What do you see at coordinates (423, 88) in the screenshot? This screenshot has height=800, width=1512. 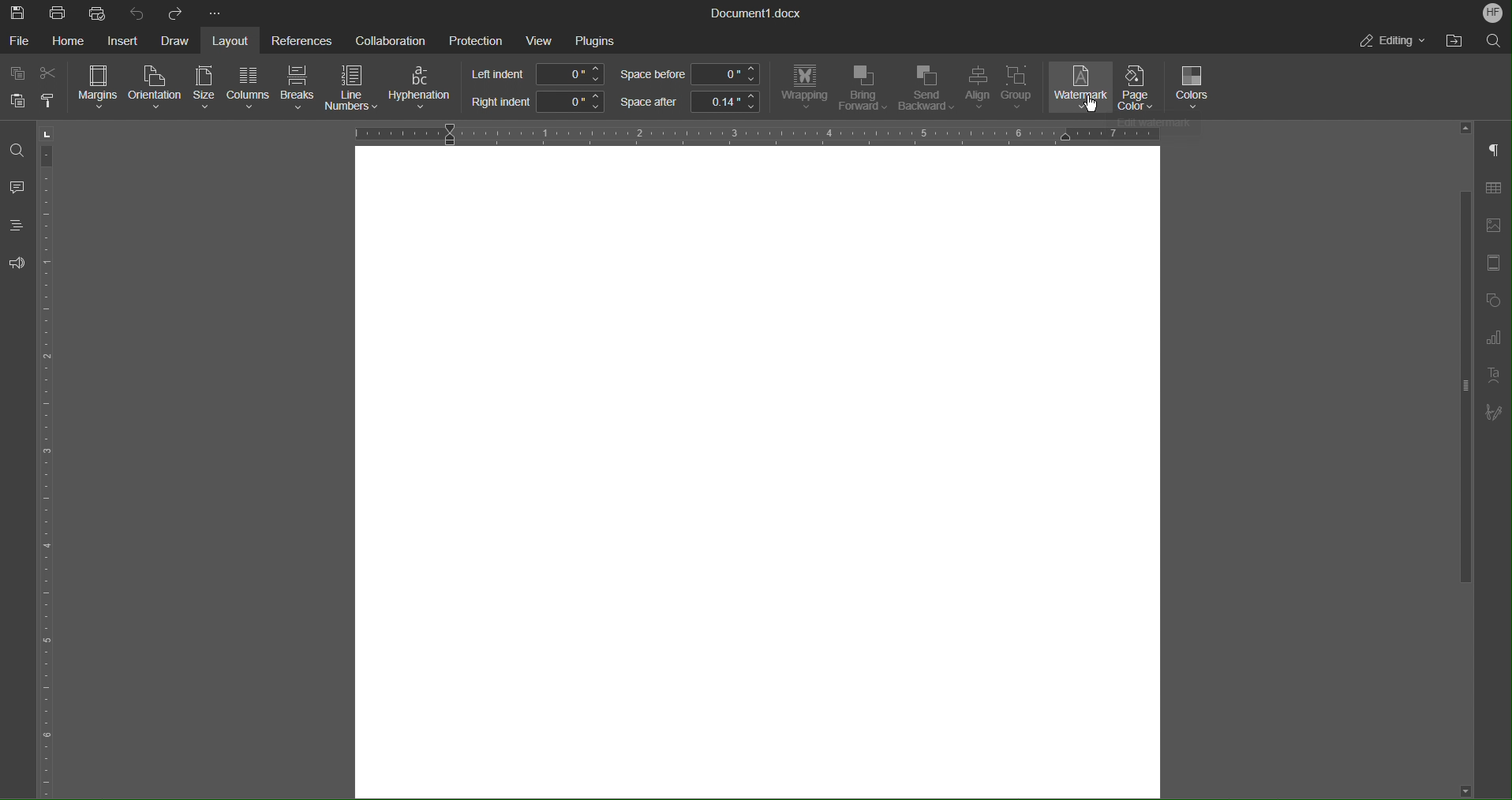 I see `Hyphenation` at bounding box center [423, 88].